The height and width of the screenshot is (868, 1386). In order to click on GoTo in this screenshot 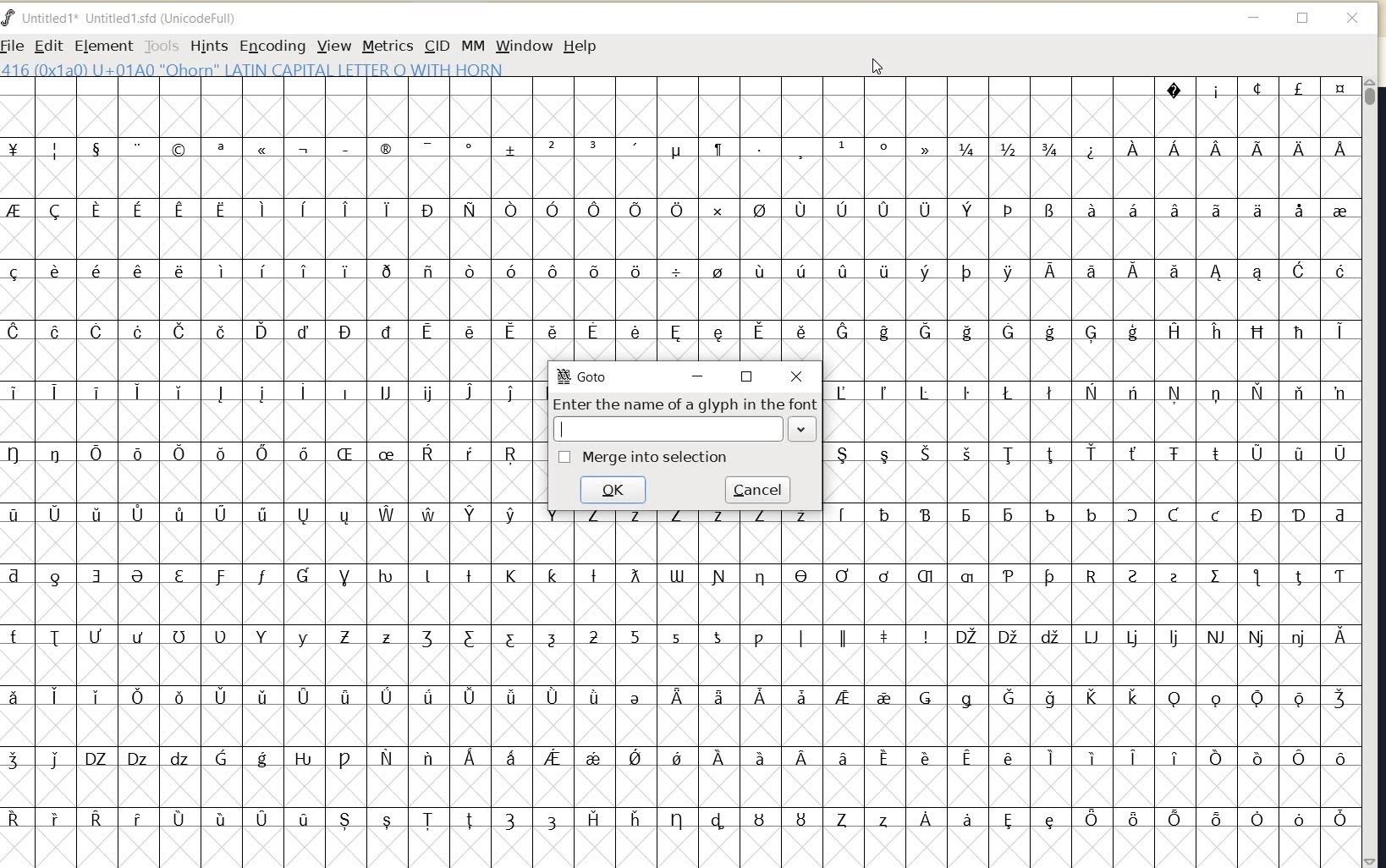, I will do `click(584, 376)`.